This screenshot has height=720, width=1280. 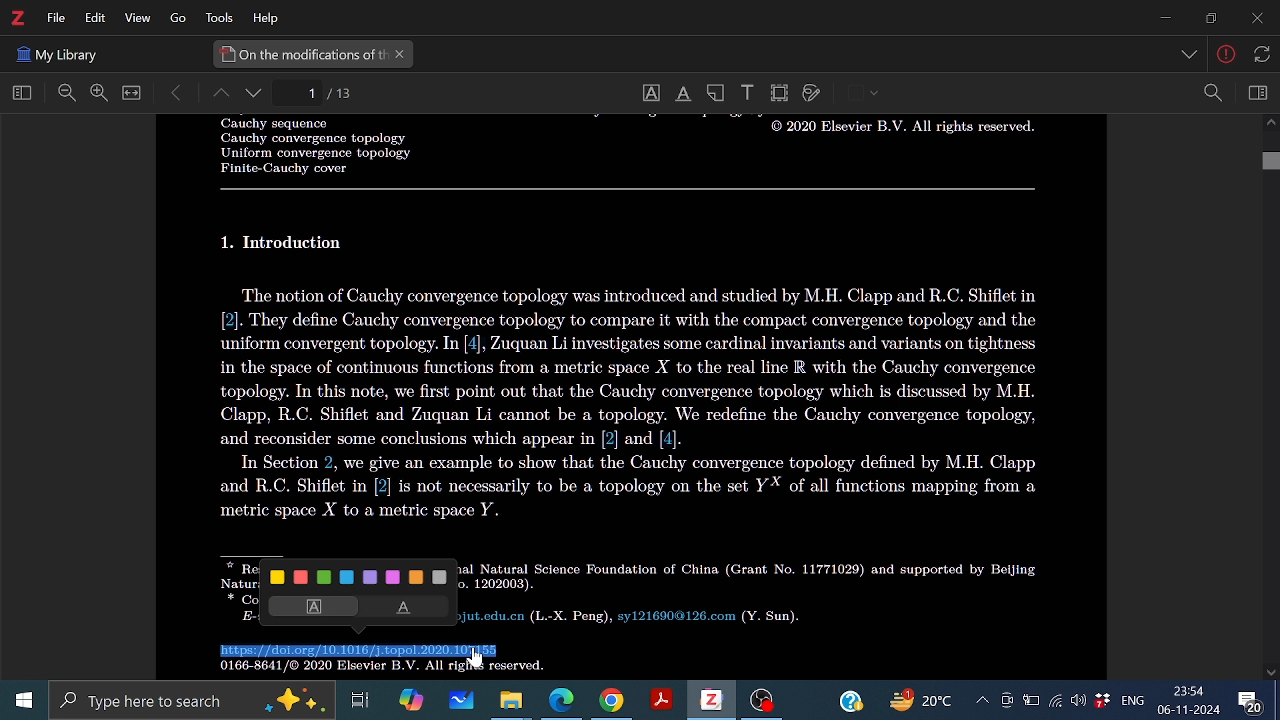 I want to click on page down, so click(x=256, y=95).